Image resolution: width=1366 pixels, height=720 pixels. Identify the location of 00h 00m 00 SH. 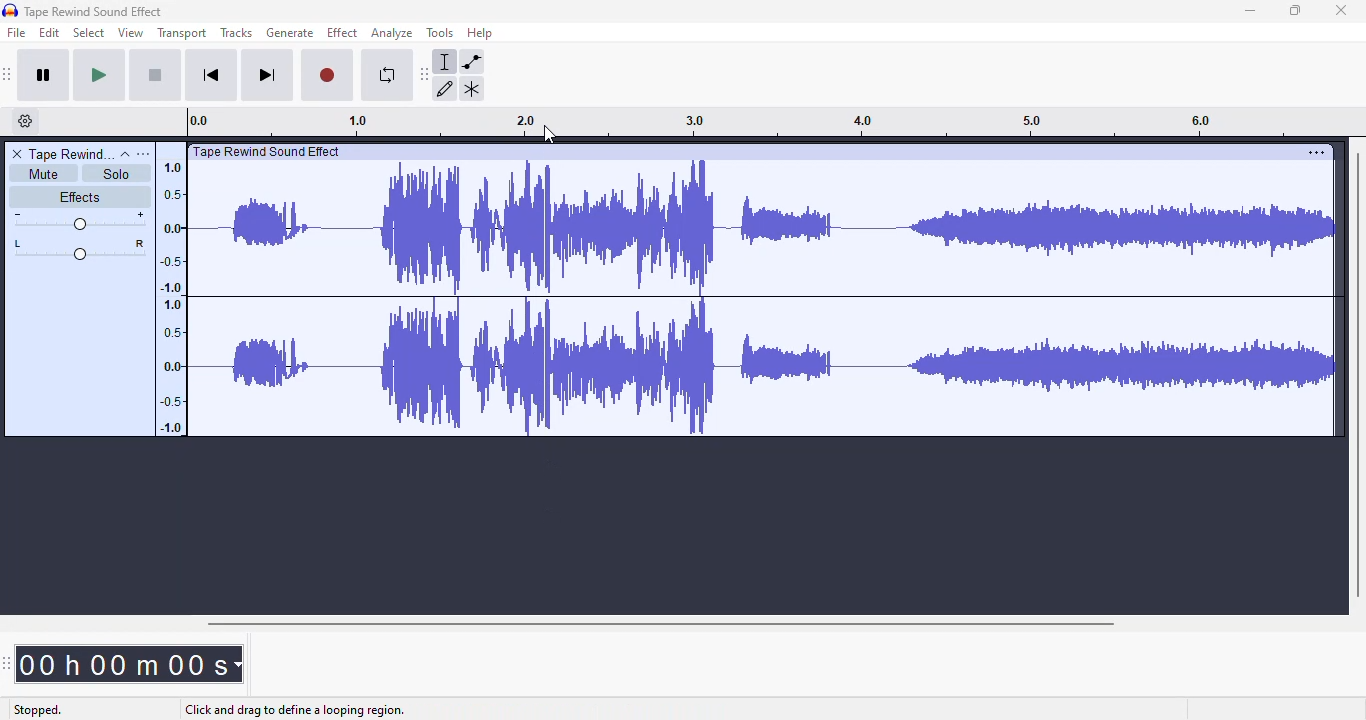
(132, 662).